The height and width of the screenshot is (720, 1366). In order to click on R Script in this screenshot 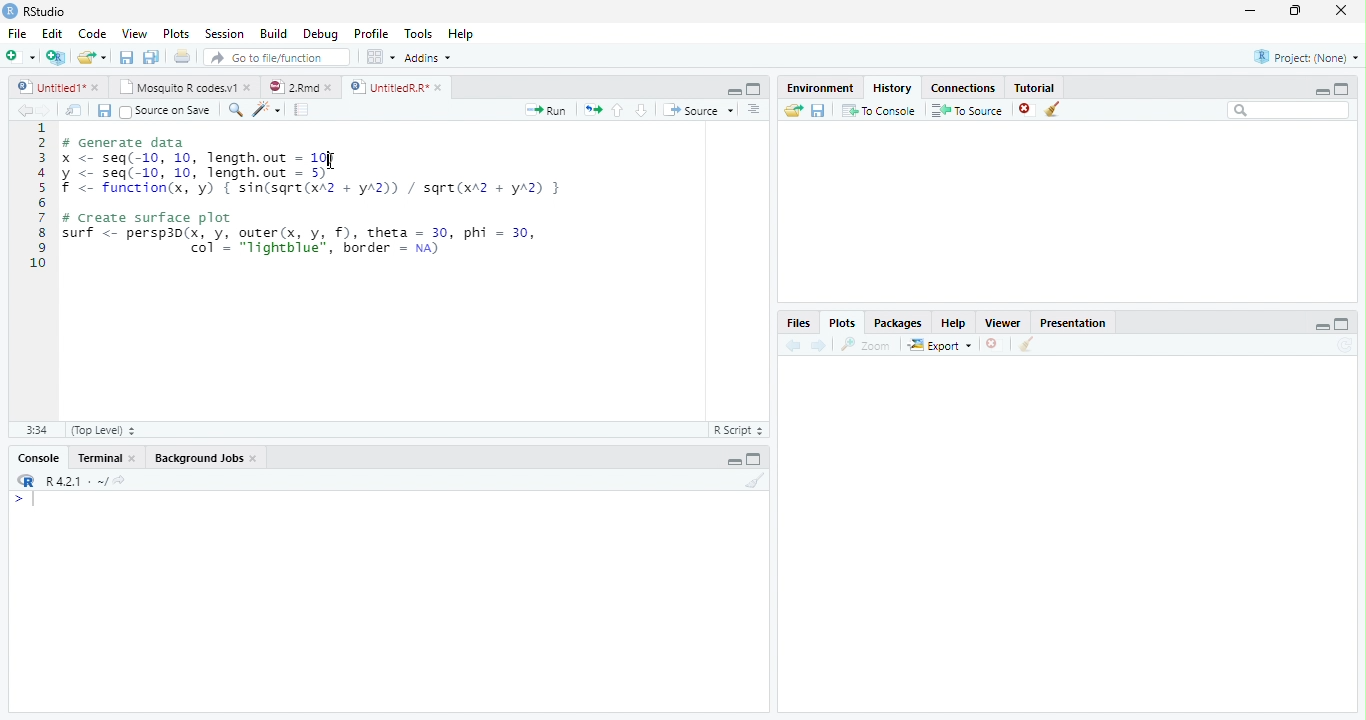, I will do `click(741, 430)`.